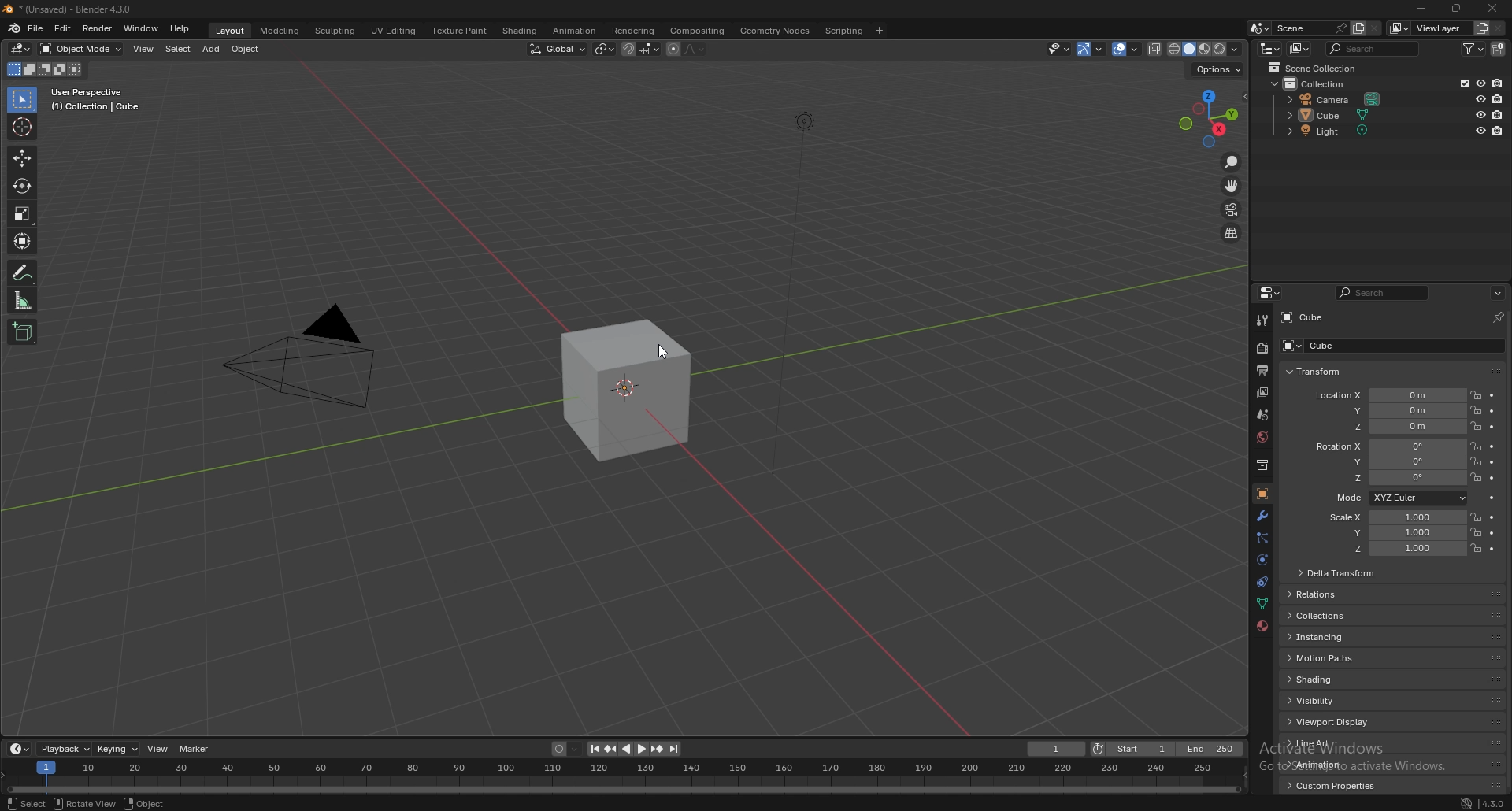 This screenshot has width=1512, height=811. What do you see at coordinates (1316, 371) in the screenshot?
I see `transform` at bounding box center [1316, 371].